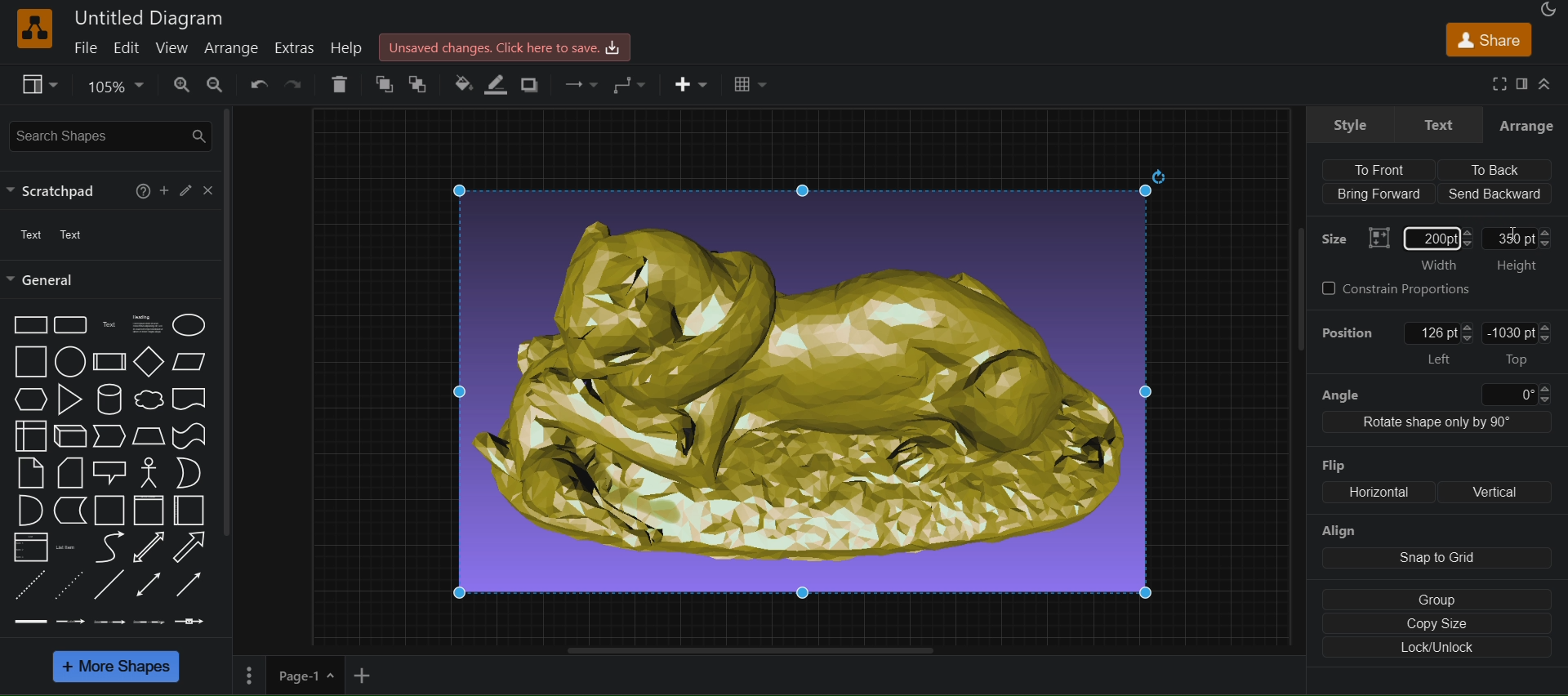 This screenshot has width=1568, height=696. I want to click on Bring Forward (align), so click(1379, 194).